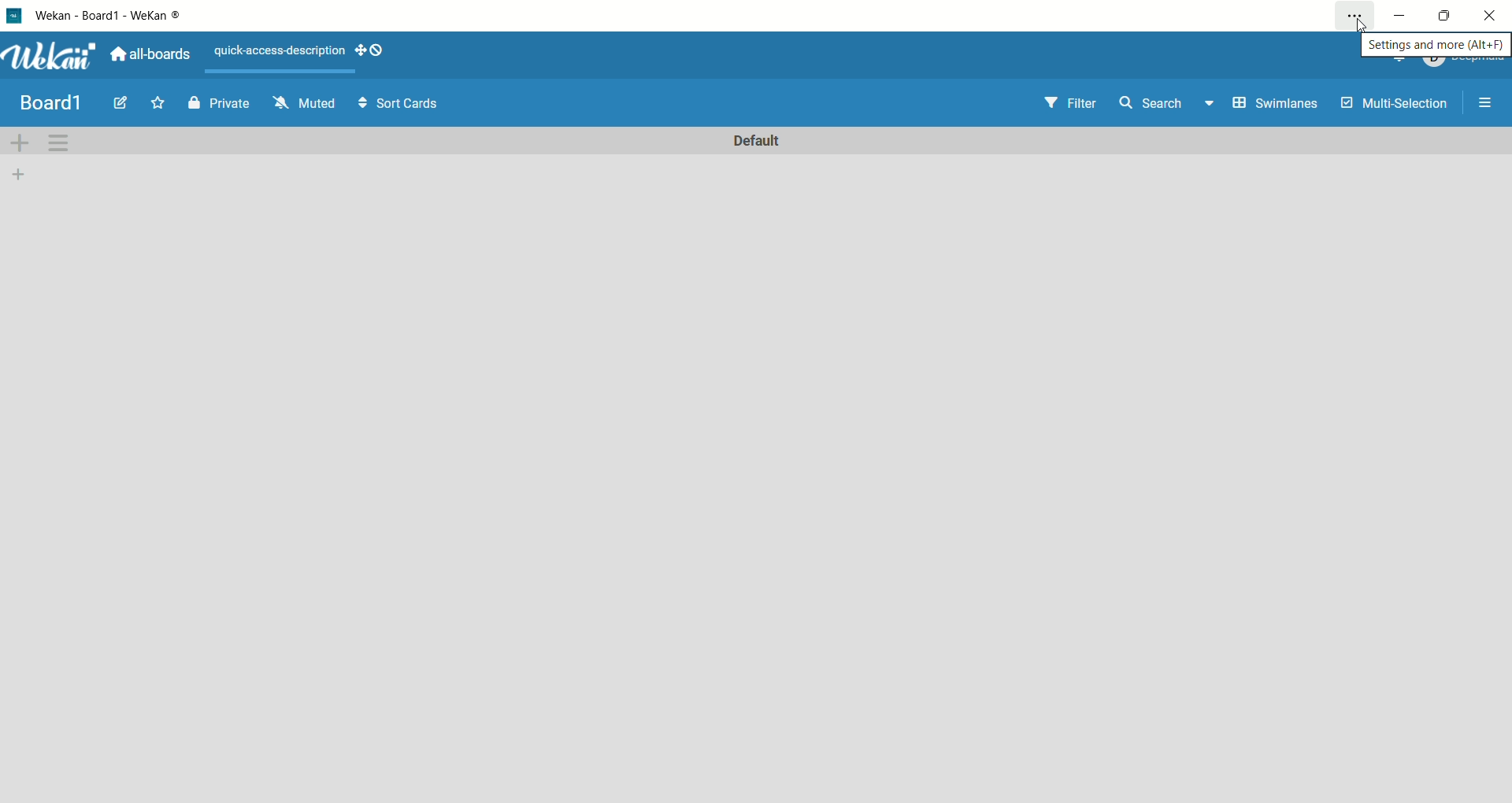 This screenshot has width=1512, height=803. I want to click on filter, so click(1072, 105).